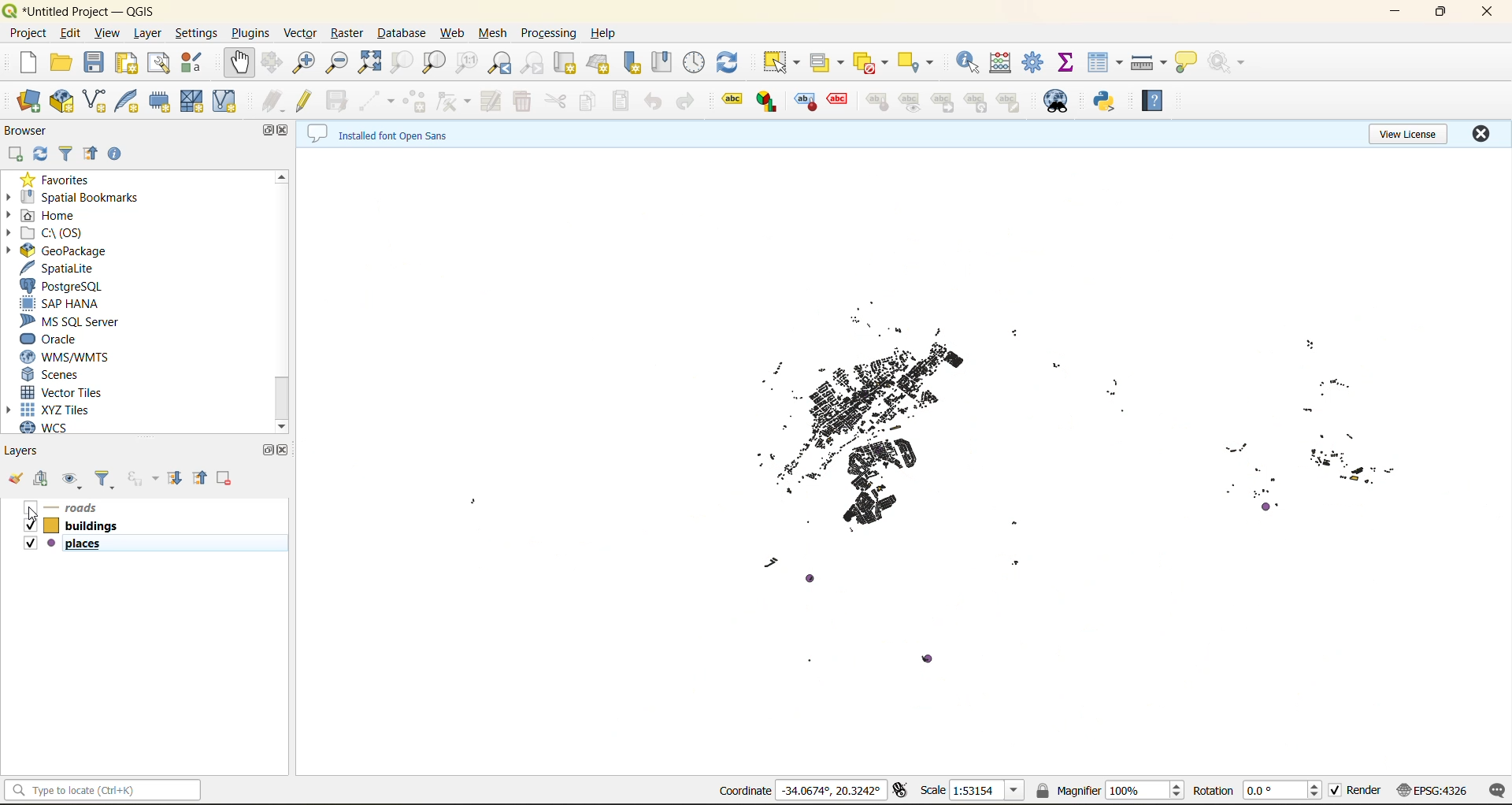 This screenshot has width=1512, height=805. What do you see at coordinates (1152, 103) in the screenshot?
I see `help` at bounding box center [1152, 103].